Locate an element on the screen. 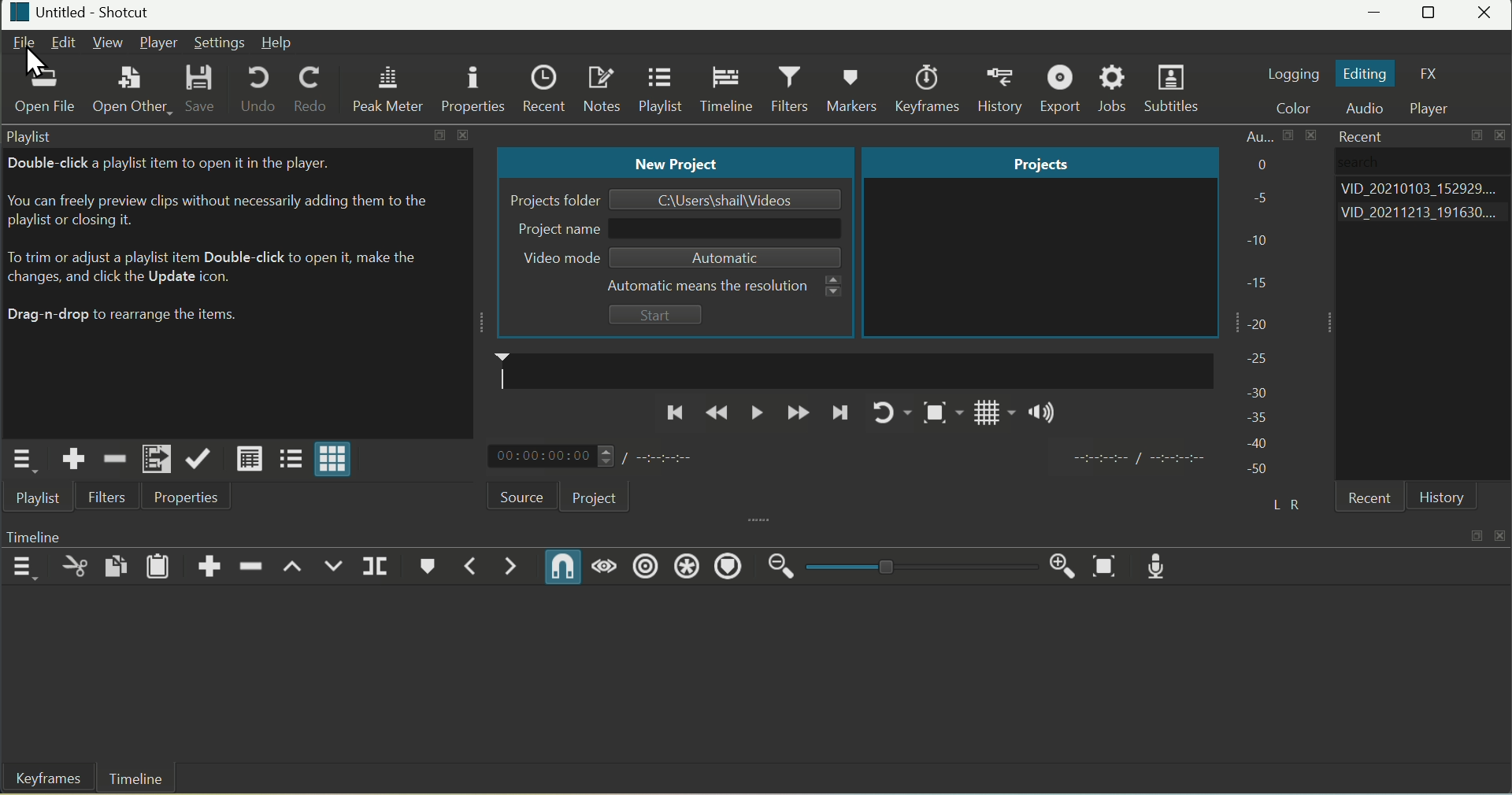 The width and height of the screenshot is (1512, 795). Video mode is located at coordinates (549, 259).